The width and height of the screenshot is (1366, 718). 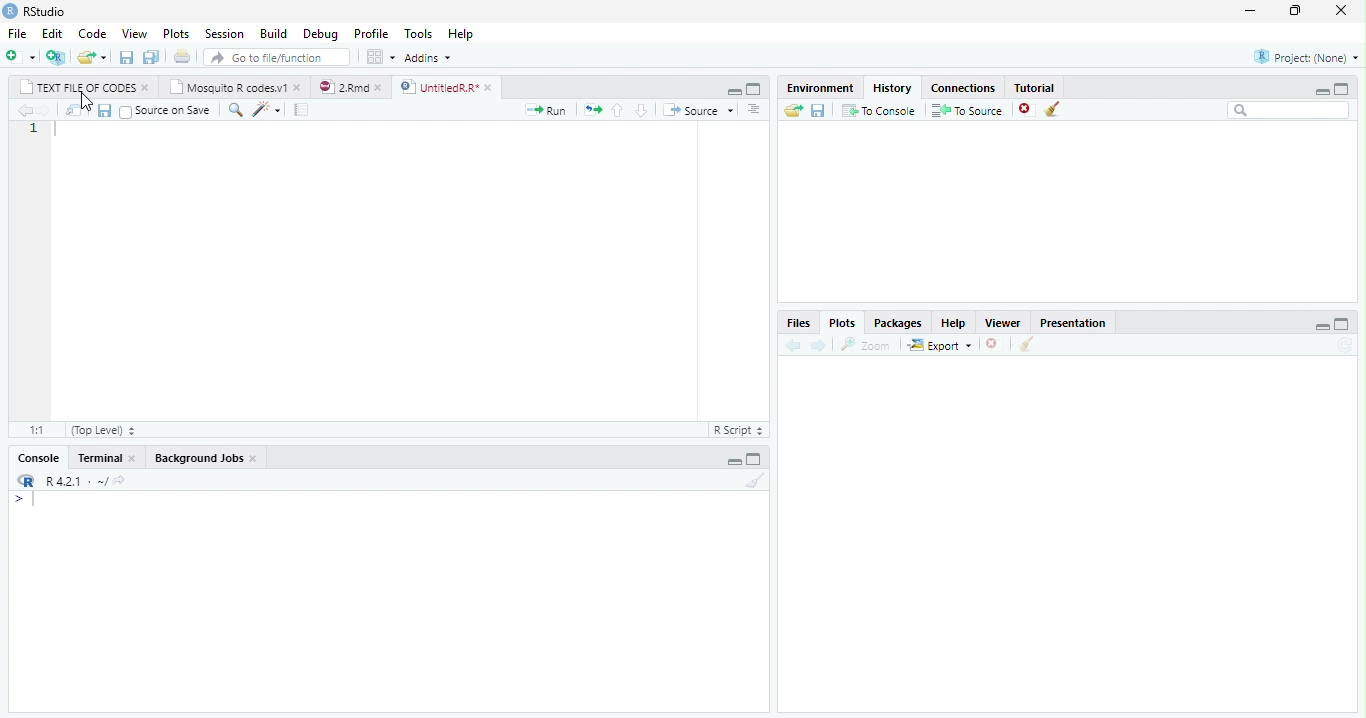 What do you see at coordinates (1347, 347) in the screenshot?
I see `sync` at bounding box center [1347, 347].